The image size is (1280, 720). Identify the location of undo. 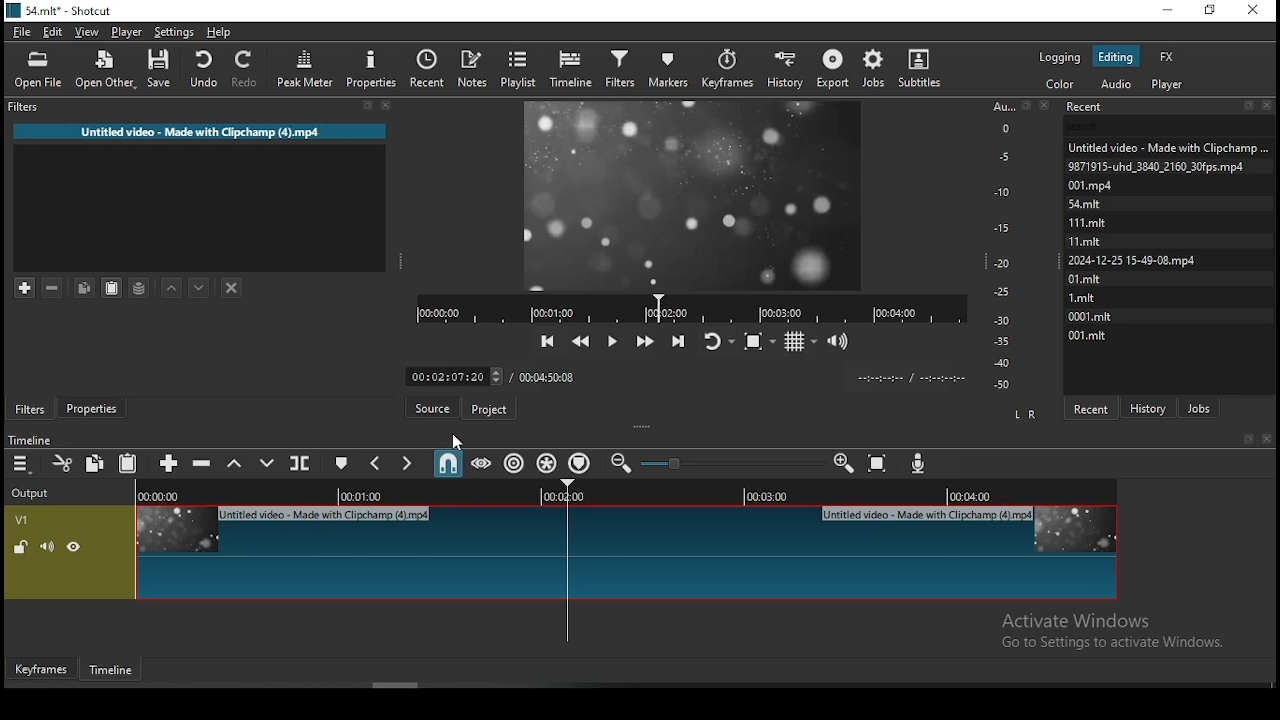
(207, 70).